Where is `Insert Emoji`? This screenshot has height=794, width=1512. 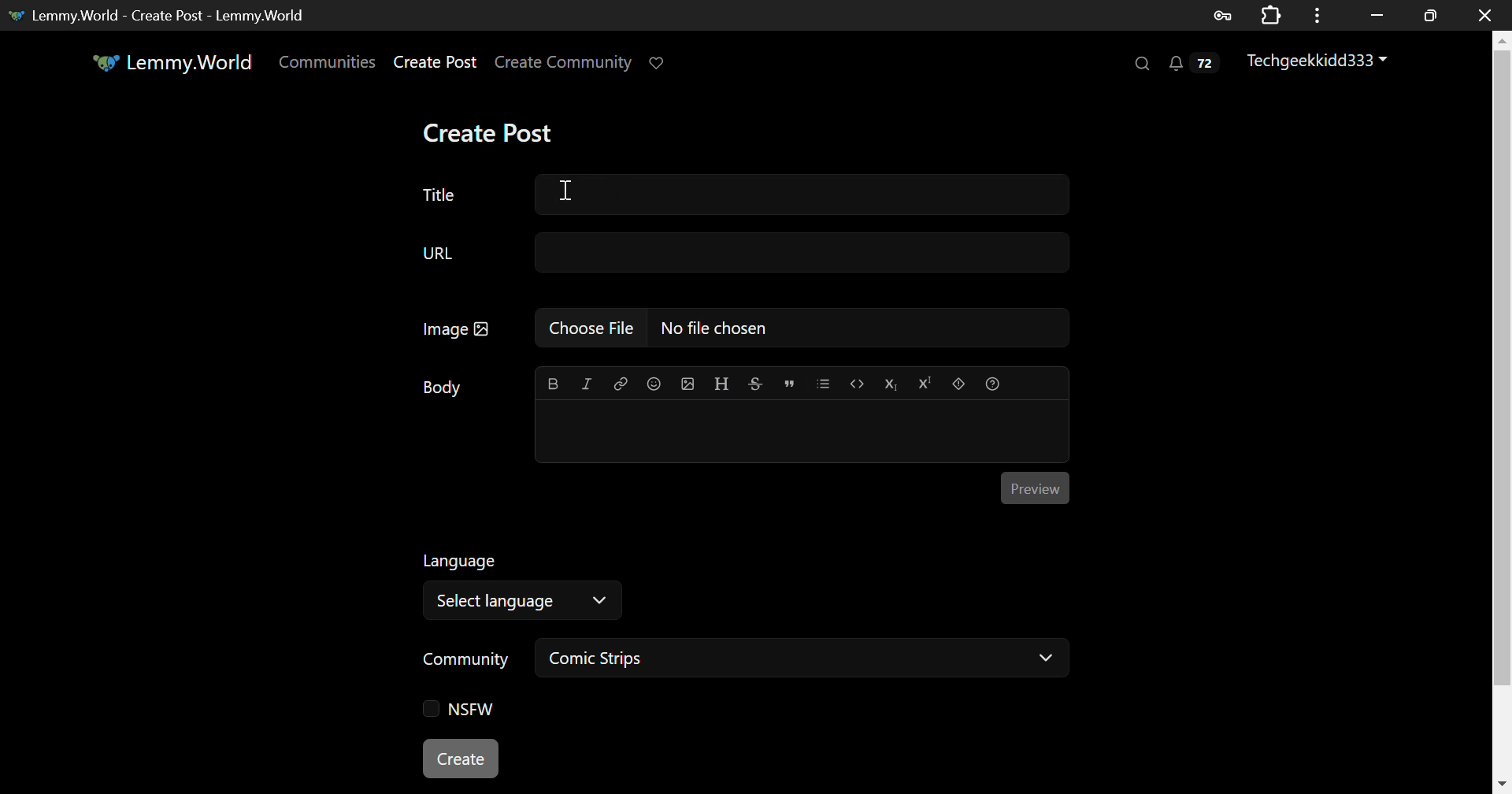 Insert Emoji is located at coordinates (653, 385).